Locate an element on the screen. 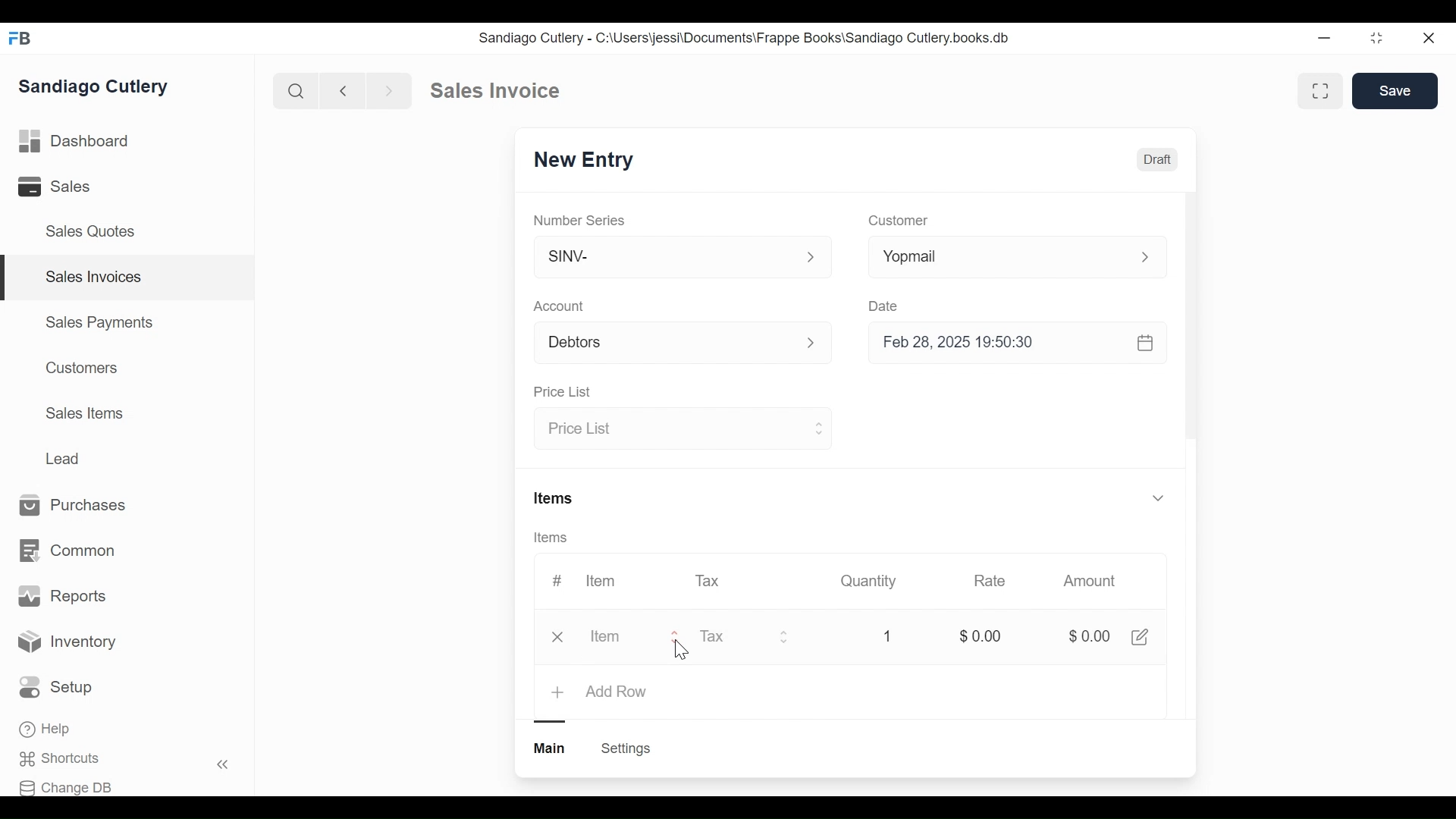 The height and width of the screenshot is (819, 1456). forward is located at coordinates (390, 89).